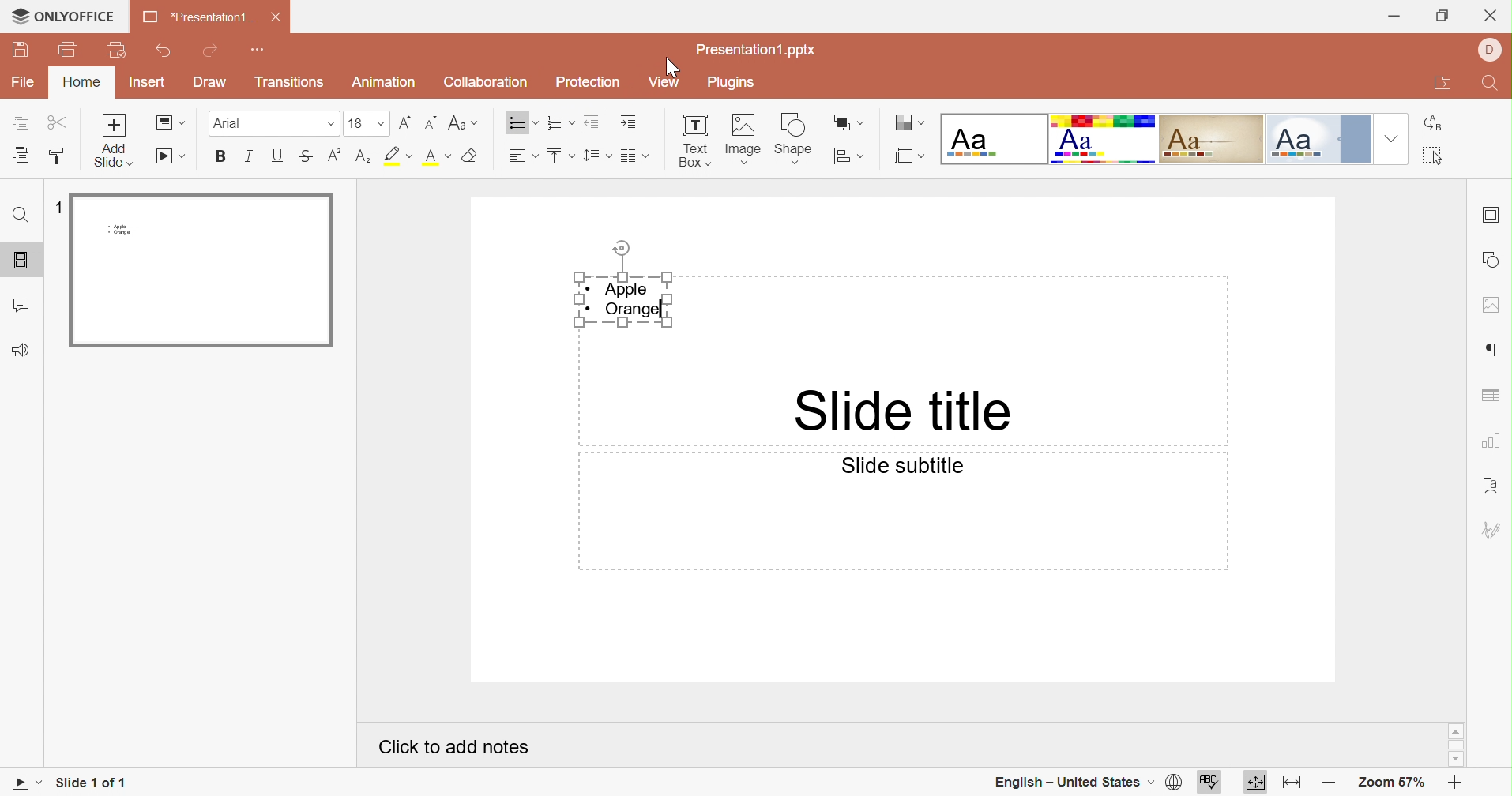 Image resolution: width=1512 pixels, height=796 pixels. Describe the element at coordinates (903, 411) in the screenshot. I see `Slide title` at that location.